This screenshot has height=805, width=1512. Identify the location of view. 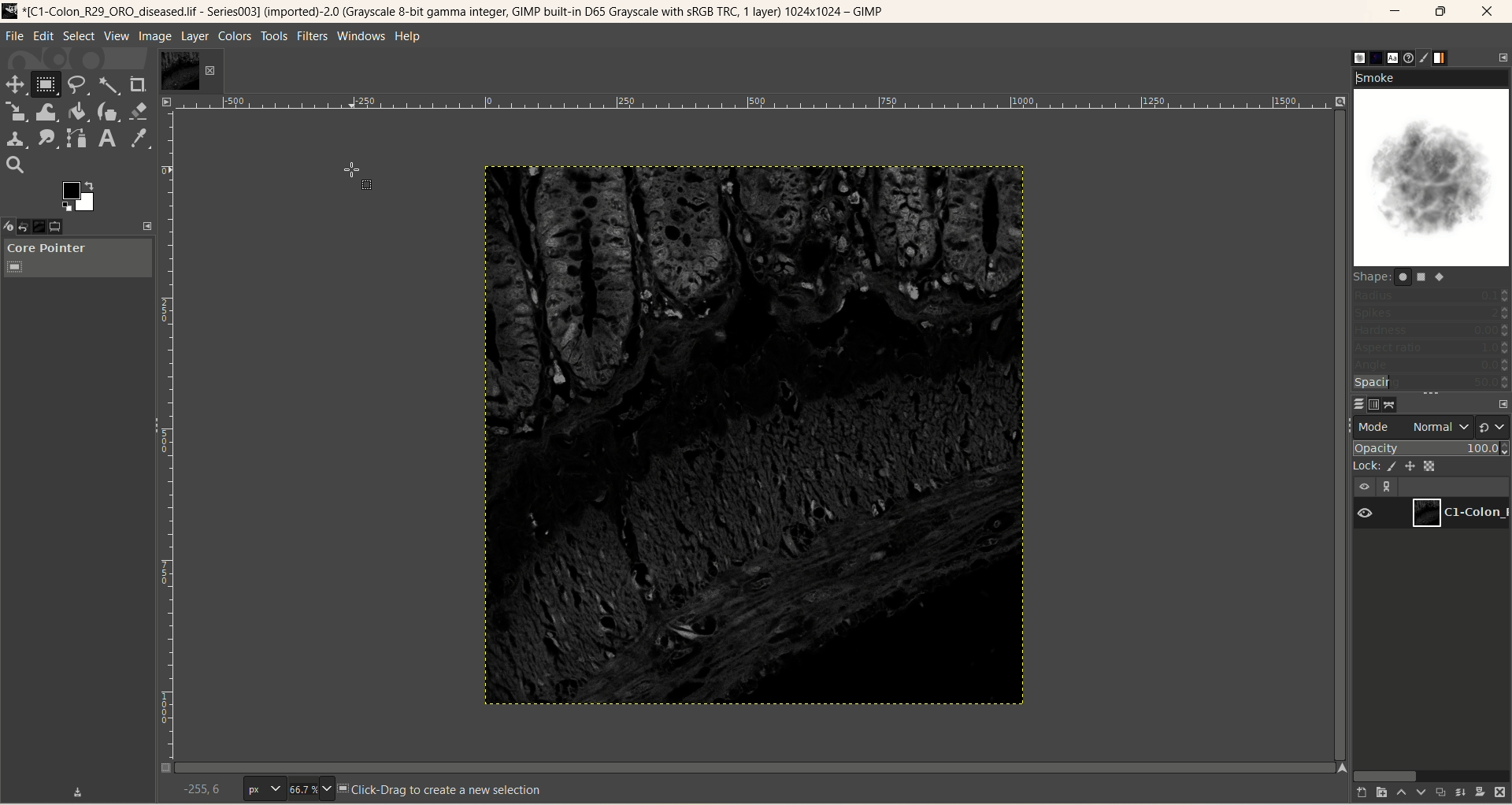
(117, 35).